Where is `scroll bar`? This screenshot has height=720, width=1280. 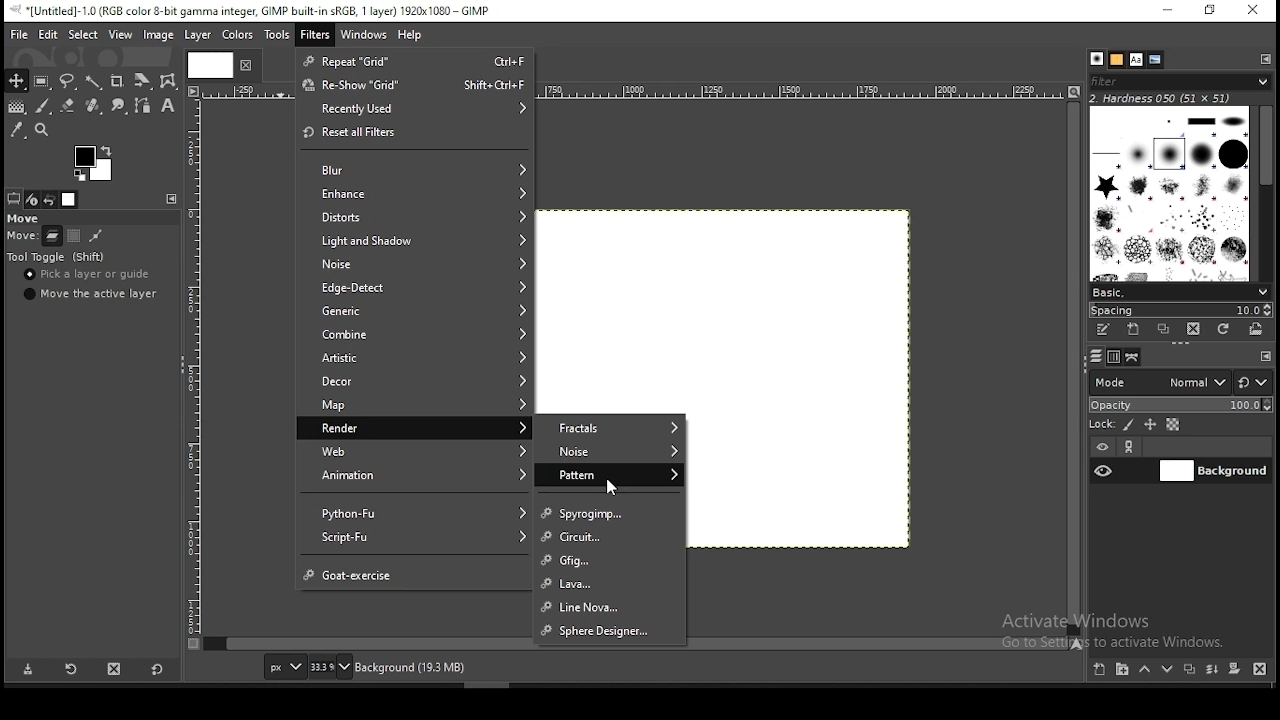 scroll bar is located at coordinates (1266, 193).